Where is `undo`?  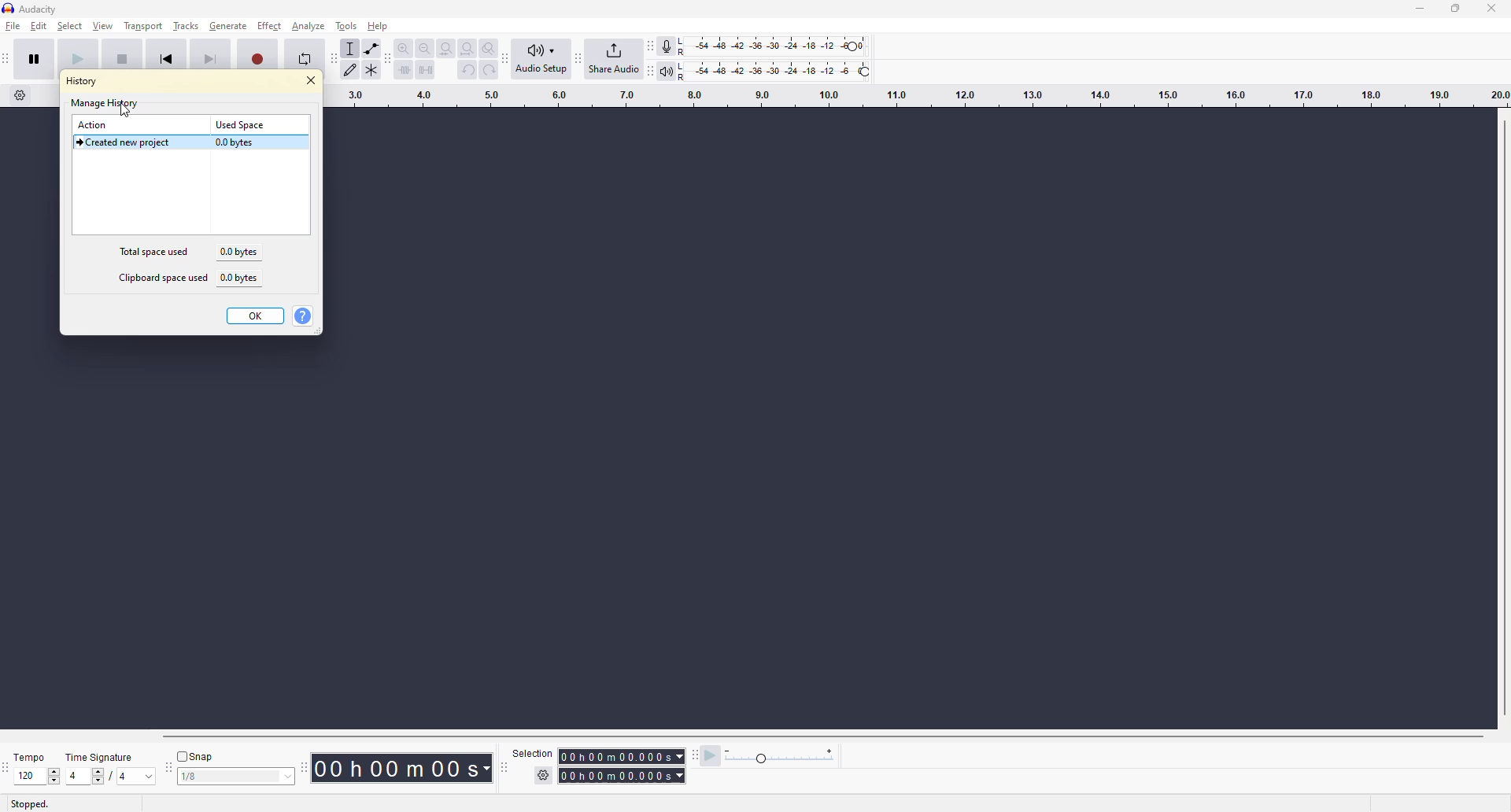
undo is located at coordinates (466, 71).